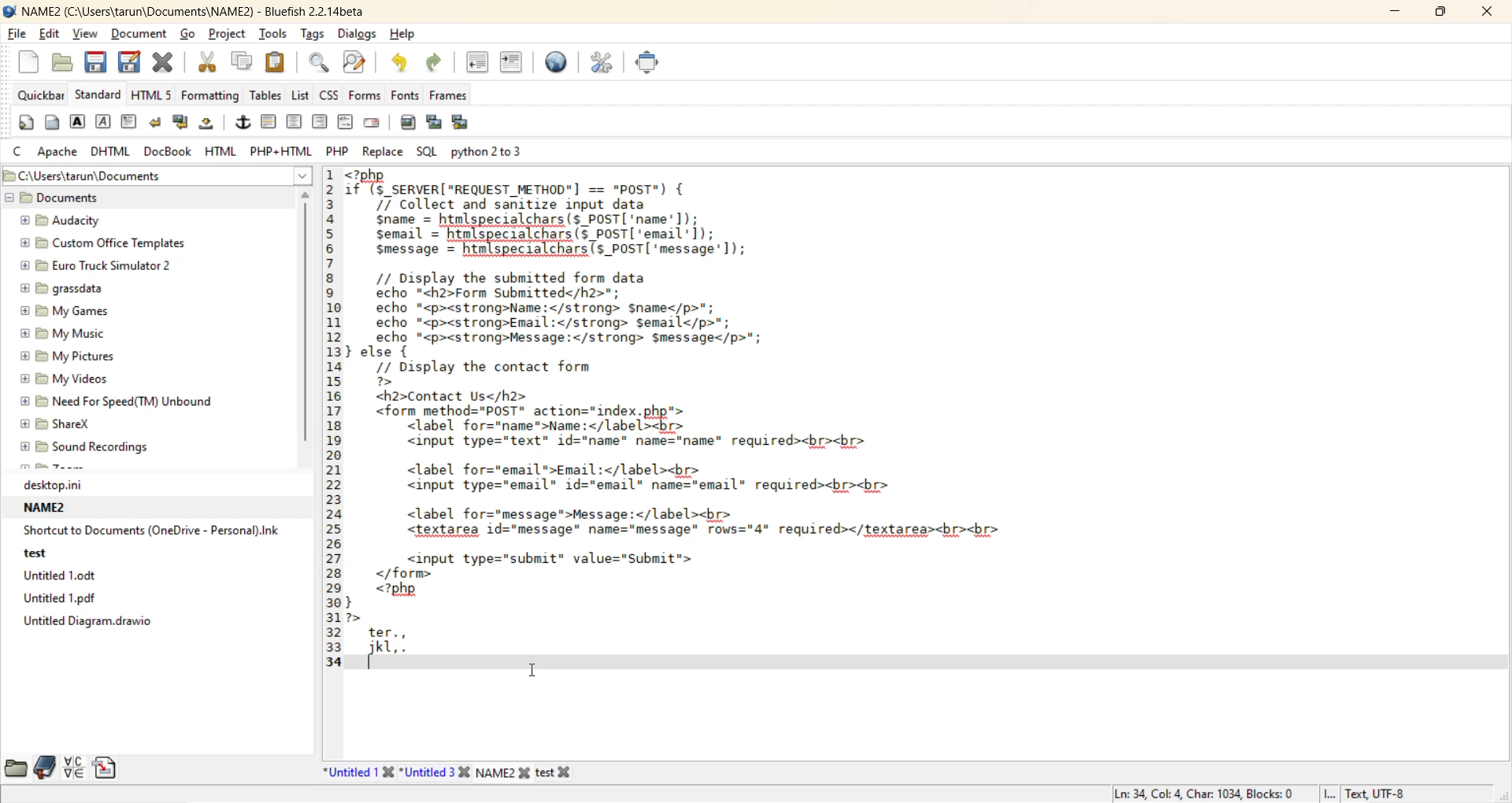 The image size is (1512, 803). I want to click on paragraph, so click(132, 124).